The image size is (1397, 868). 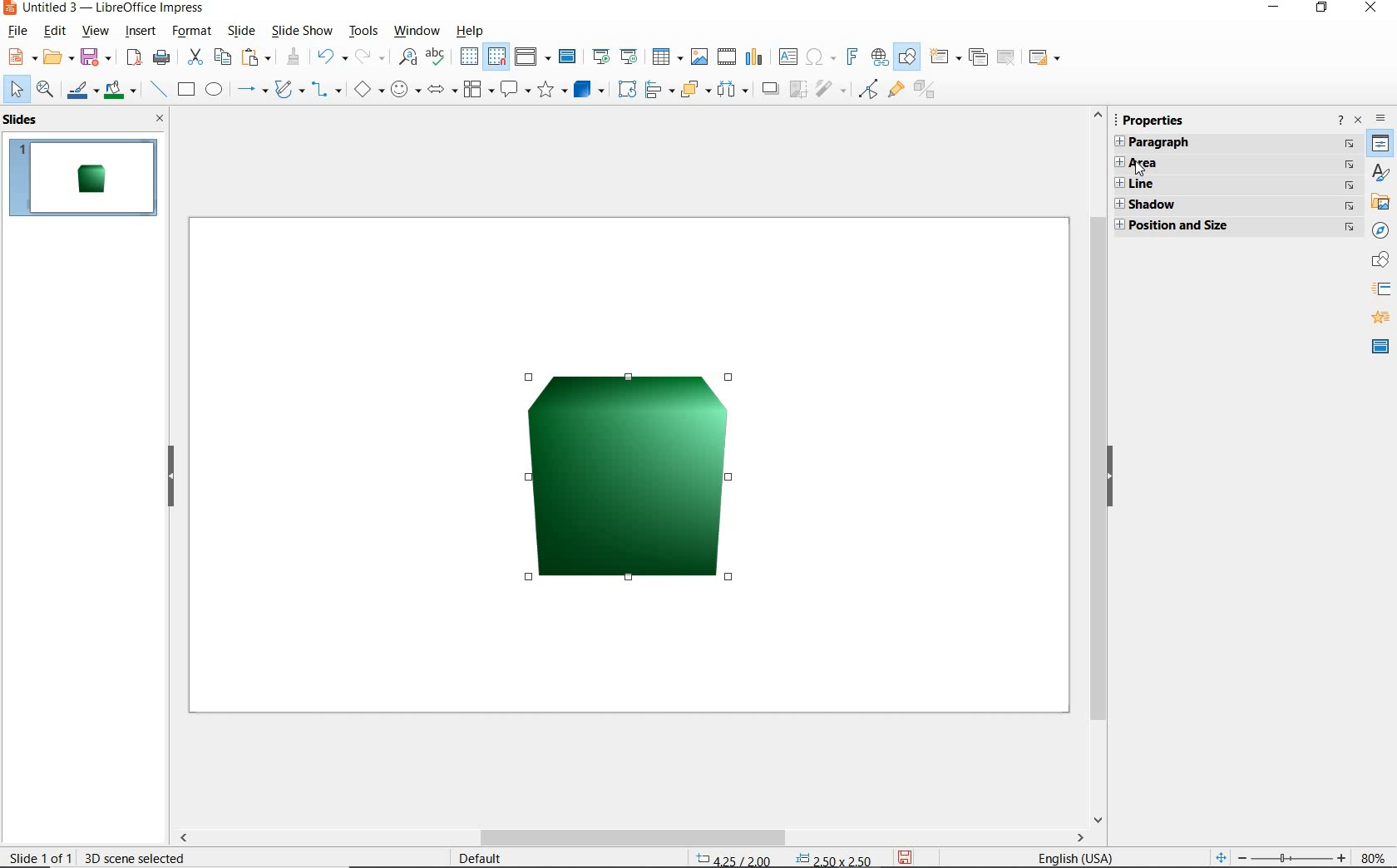 What do you see at coordinates (1380, 145) in the screenshot?
I see `PROPERTIES` at bounding box center [1380, 145].